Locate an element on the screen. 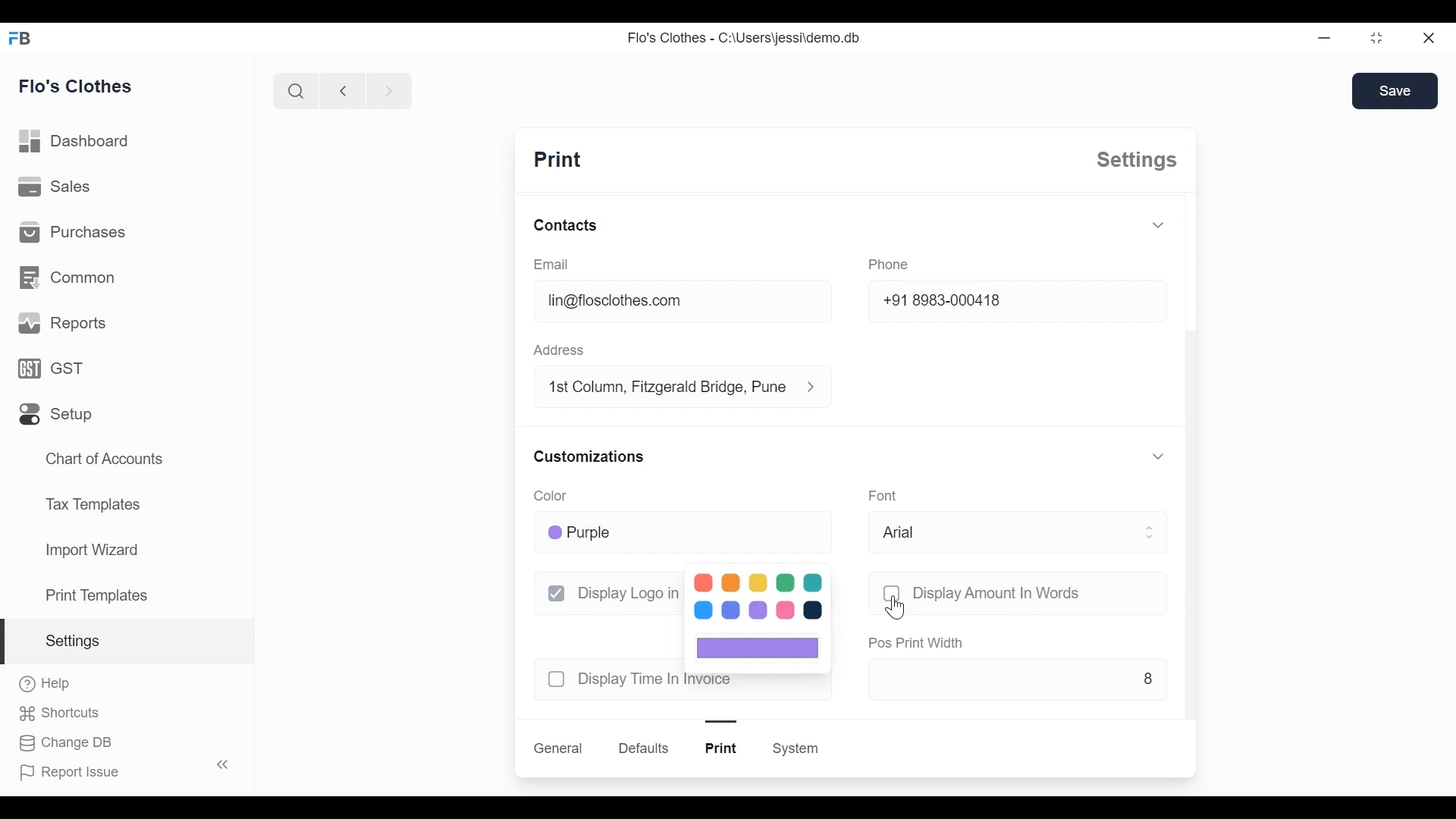  shortcuts is located at coordinates (59, 714).